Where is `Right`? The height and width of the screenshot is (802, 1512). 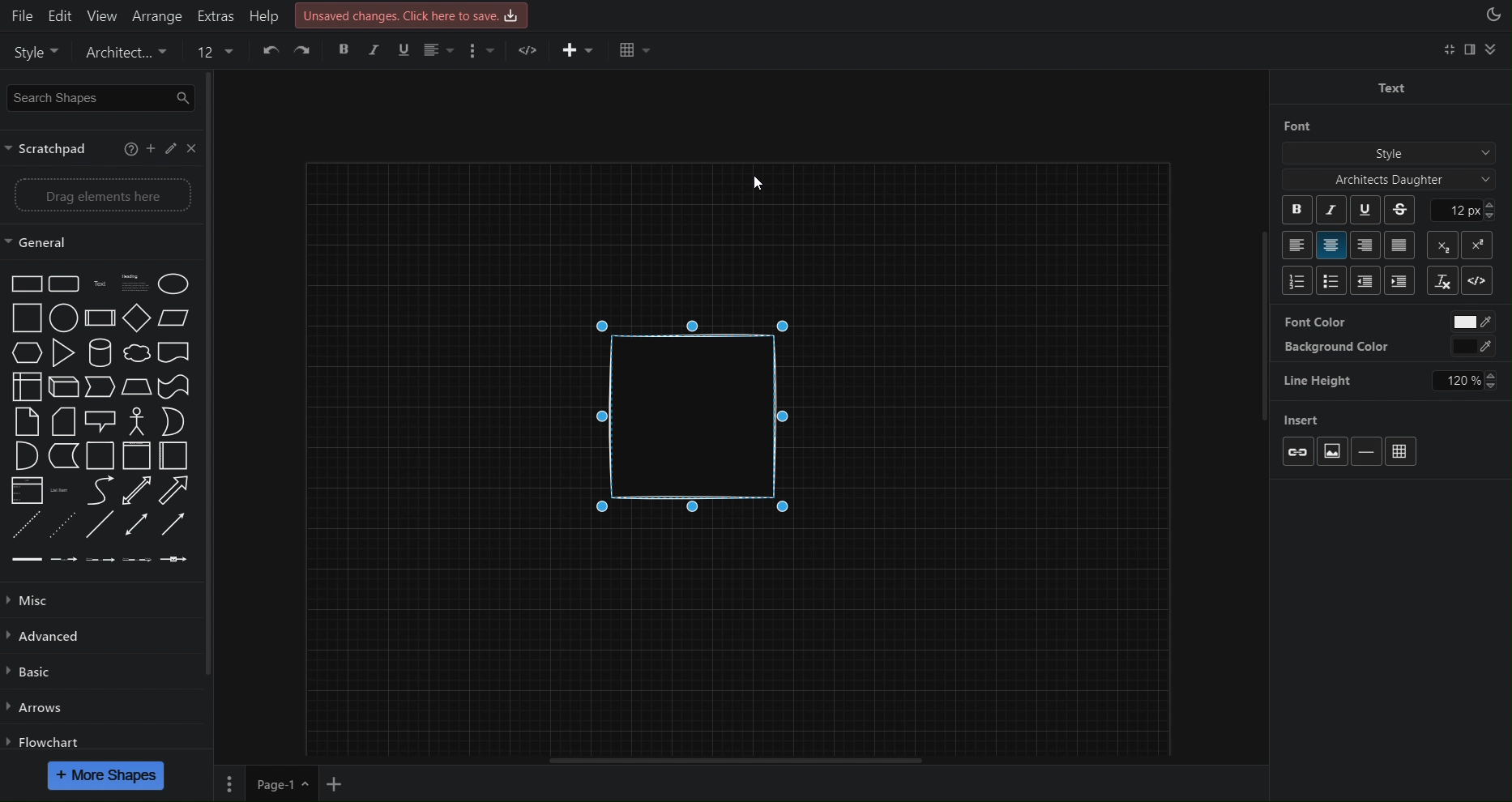
Right is located at coordinates (1367, 246).